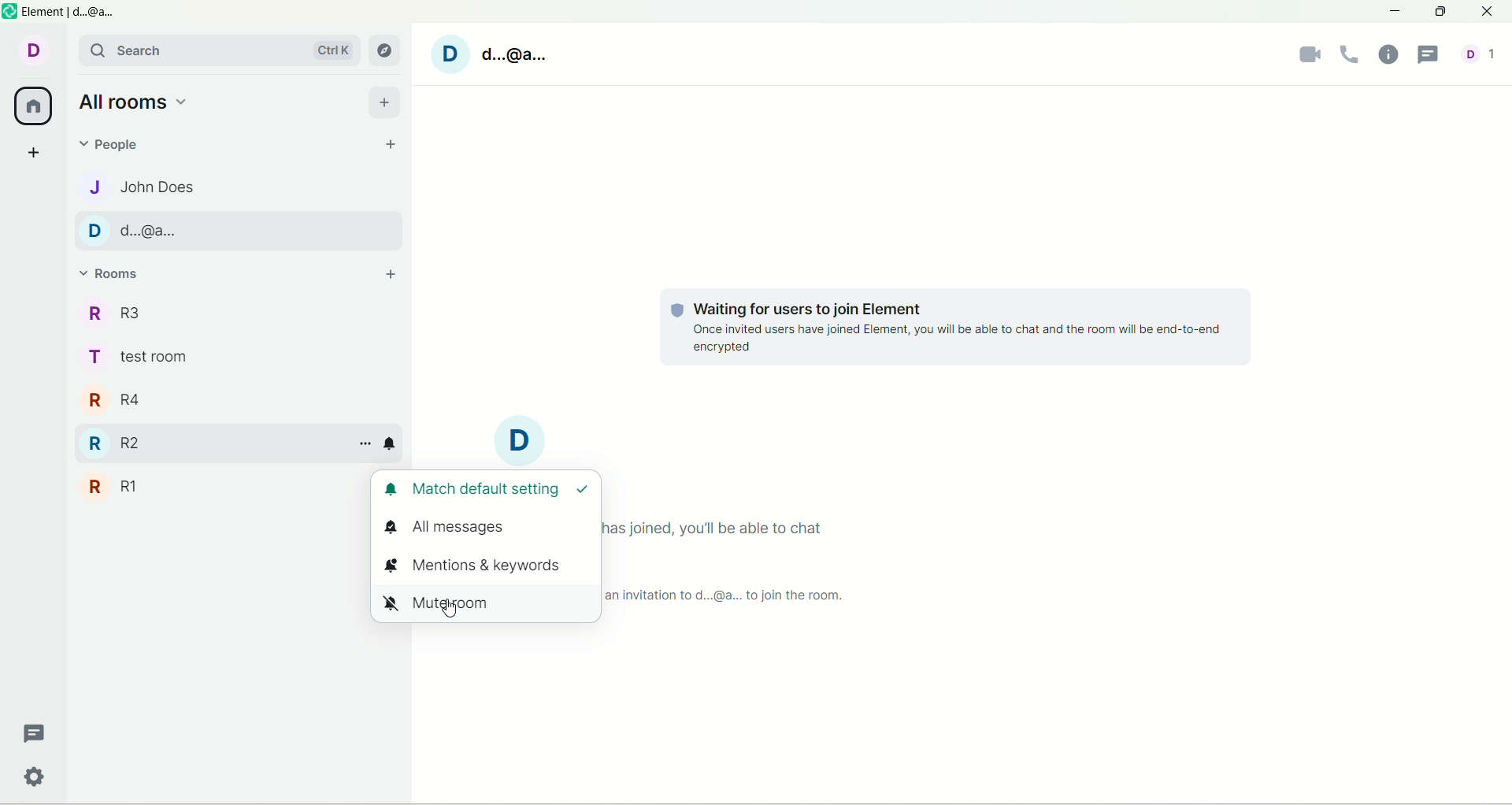 The height and width of the screenshot is (805, 1512). What do you see at coordinates (485, 563) in the screenshot?
I see `mentions and keywords` at bounding box center [485, 563].